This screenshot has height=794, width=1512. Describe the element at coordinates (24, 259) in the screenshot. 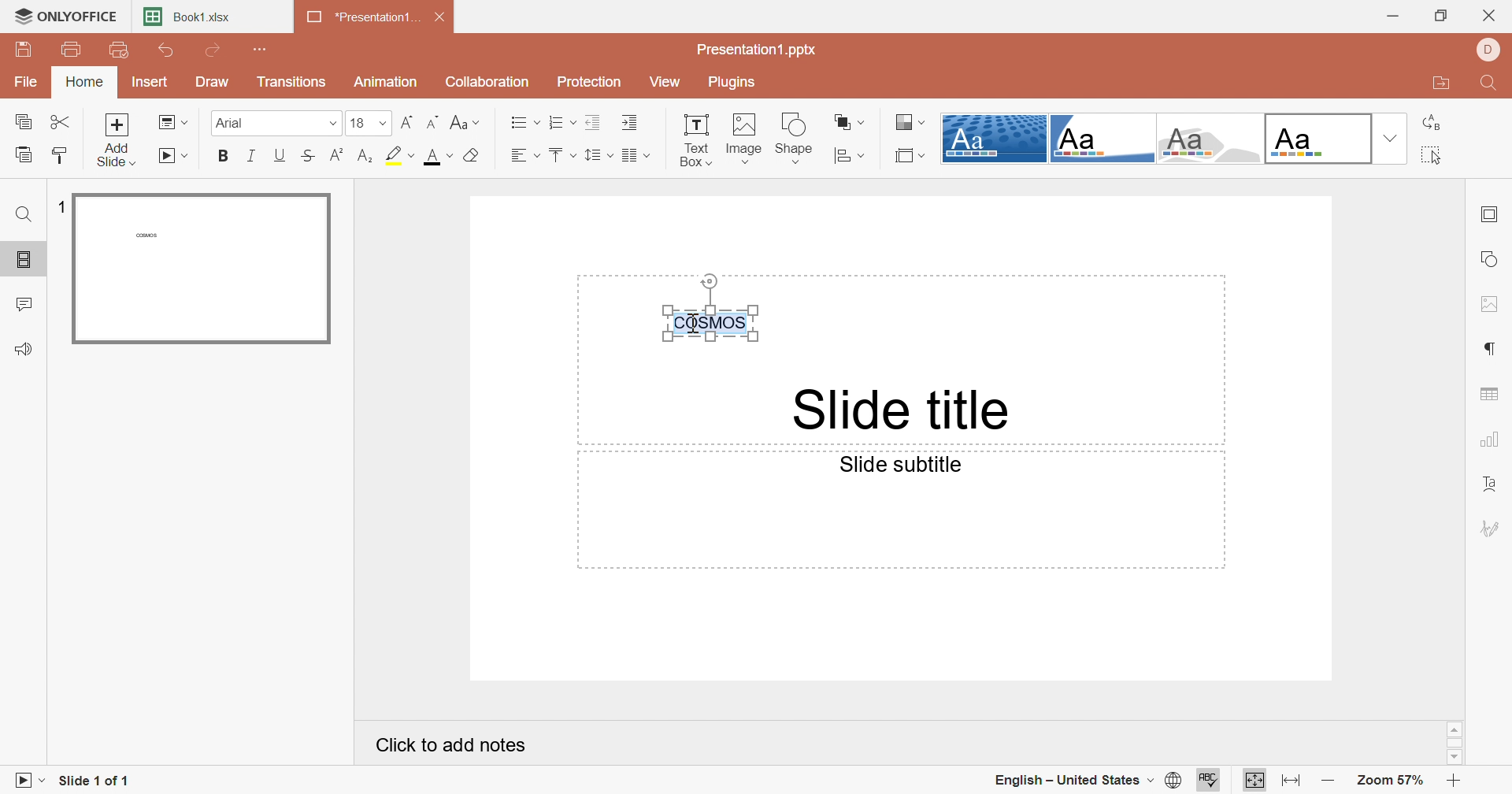

I see `Slides` at that location.